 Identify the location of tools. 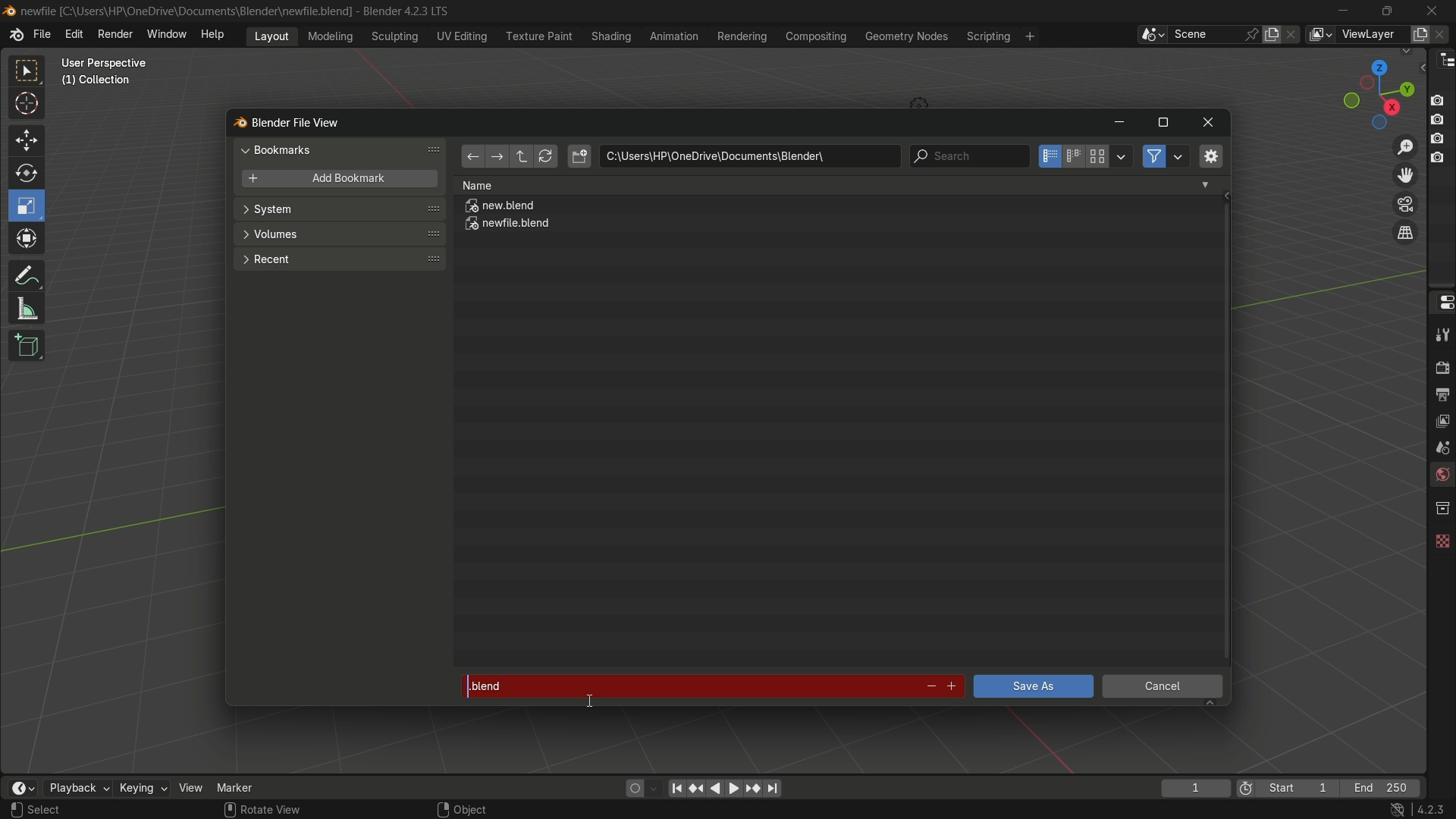
(1441, 334).